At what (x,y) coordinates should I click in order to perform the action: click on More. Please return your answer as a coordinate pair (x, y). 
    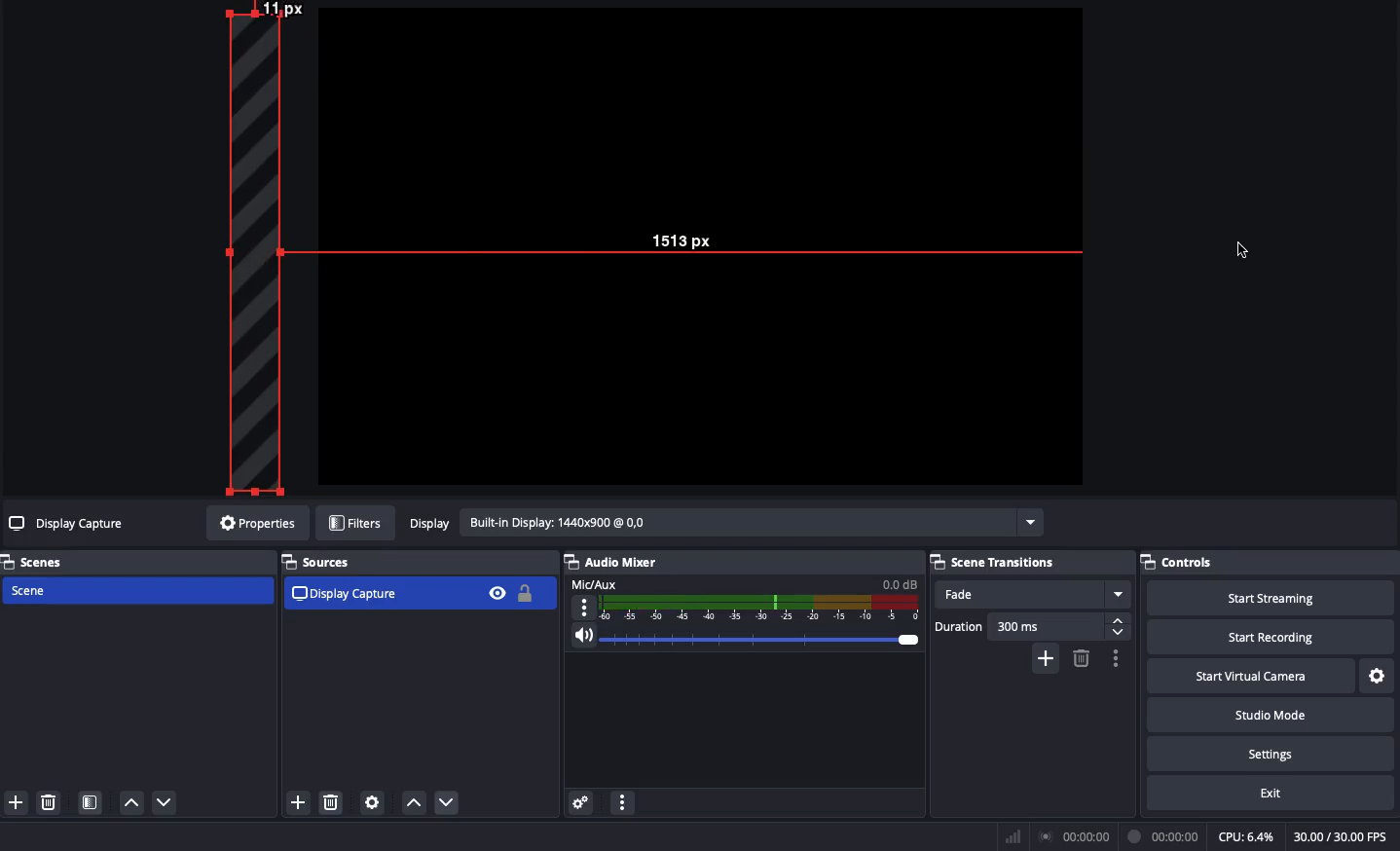
    Looking at the image, I should click on (621, 805).